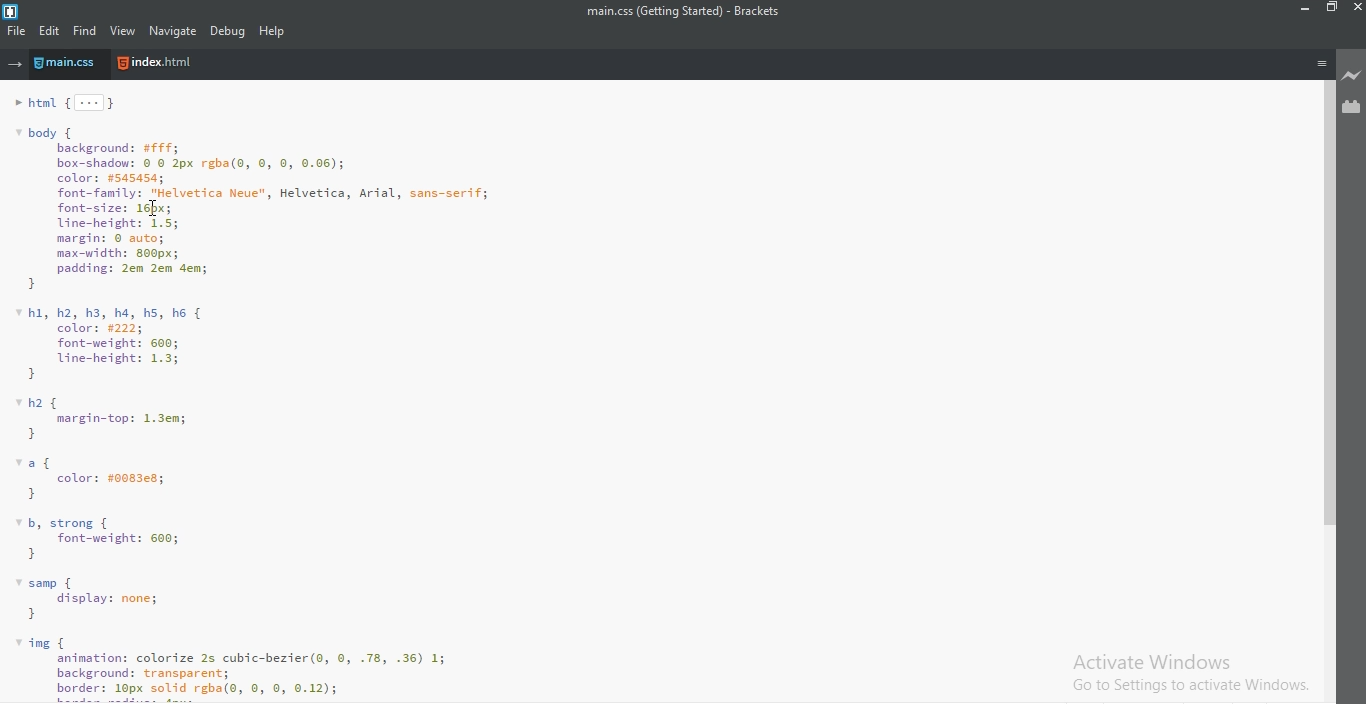 The image size is (1366, 704). What do you see at coordinates (1352, 77) in the screenshot?
I see `live preview` at bounding box center [1352, 77].